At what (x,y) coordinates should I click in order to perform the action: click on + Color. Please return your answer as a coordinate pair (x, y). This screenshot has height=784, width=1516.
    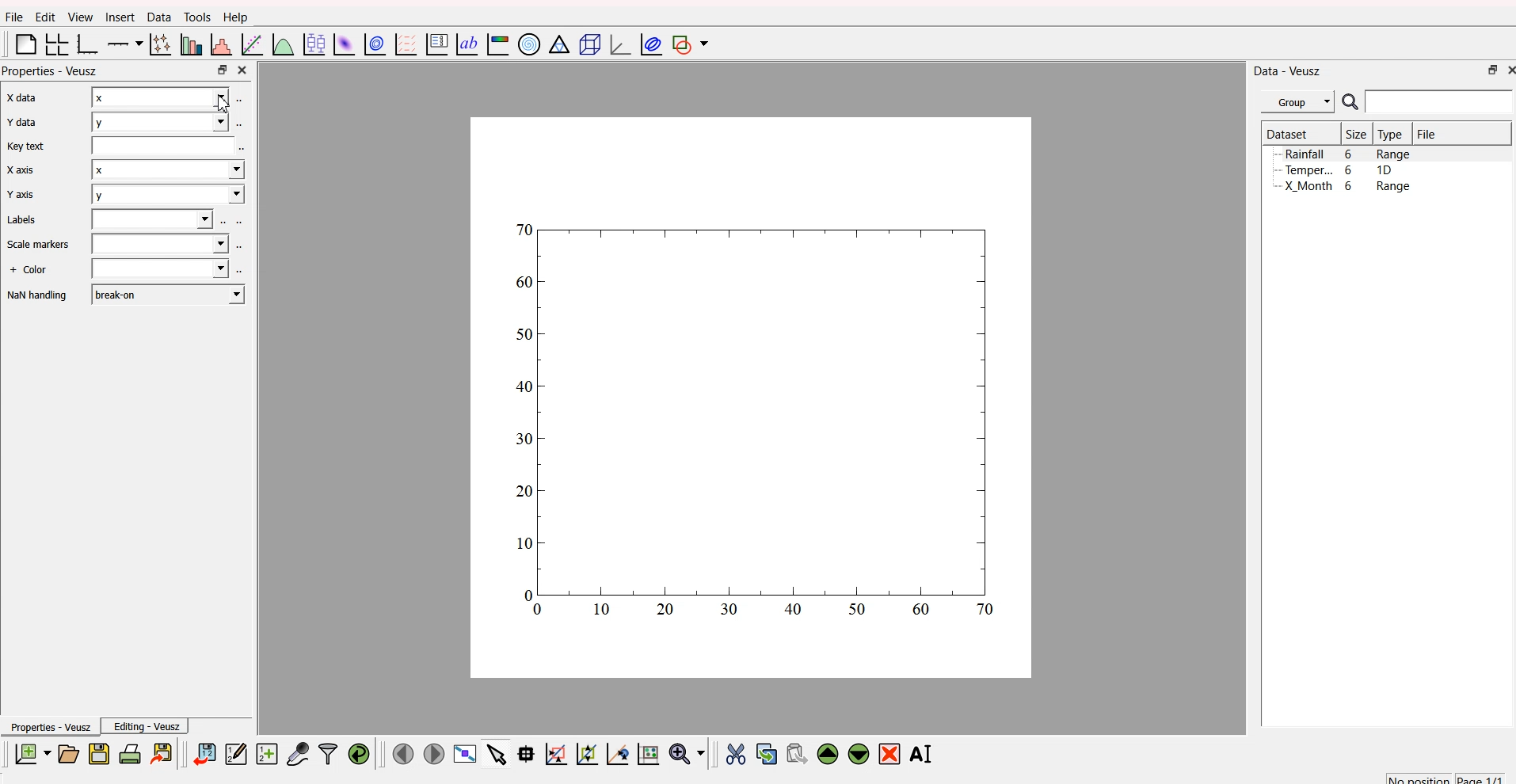
    Looking at the image, I should click on (30, 271).